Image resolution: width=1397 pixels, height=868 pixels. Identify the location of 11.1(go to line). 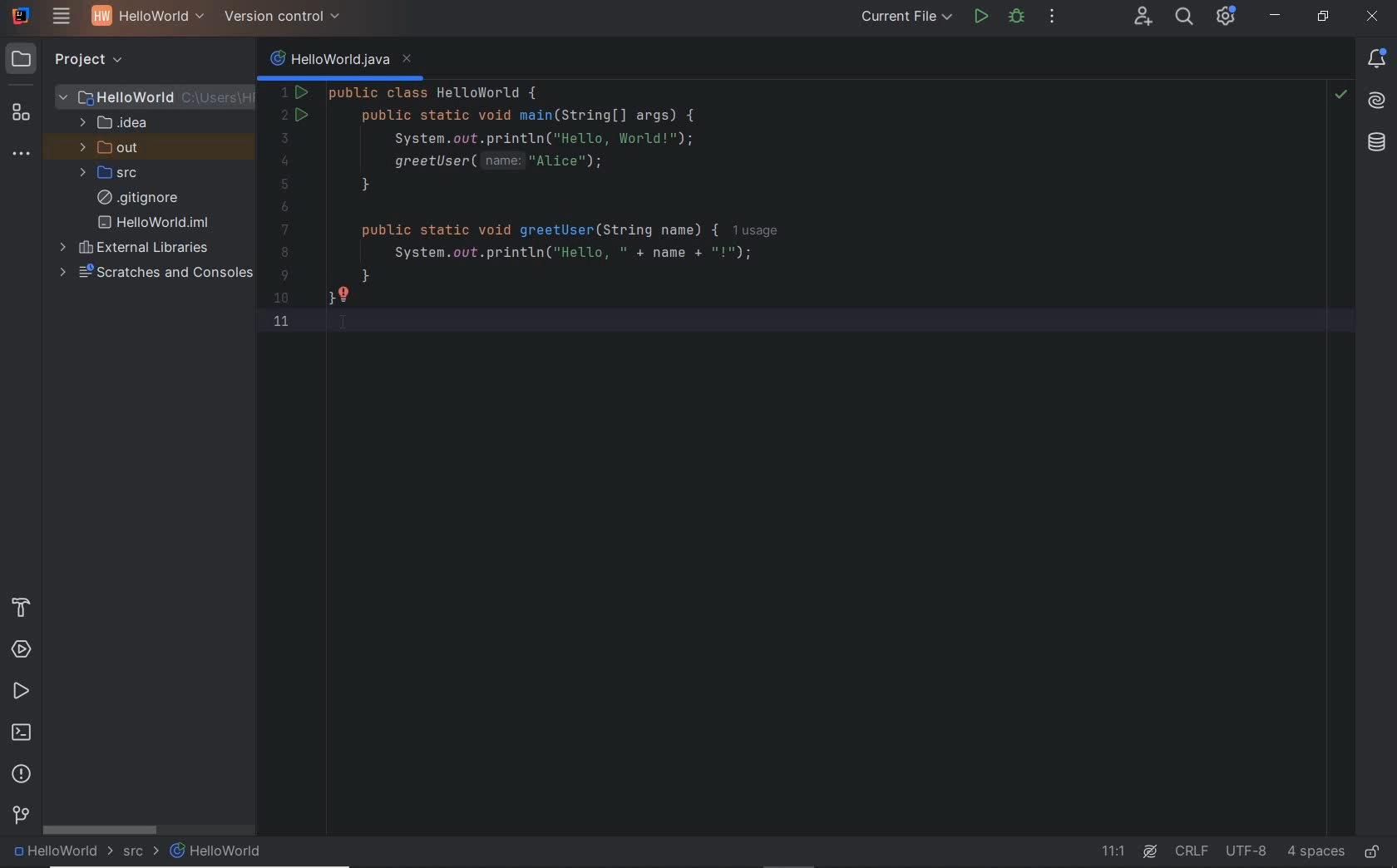
(1113, 851).